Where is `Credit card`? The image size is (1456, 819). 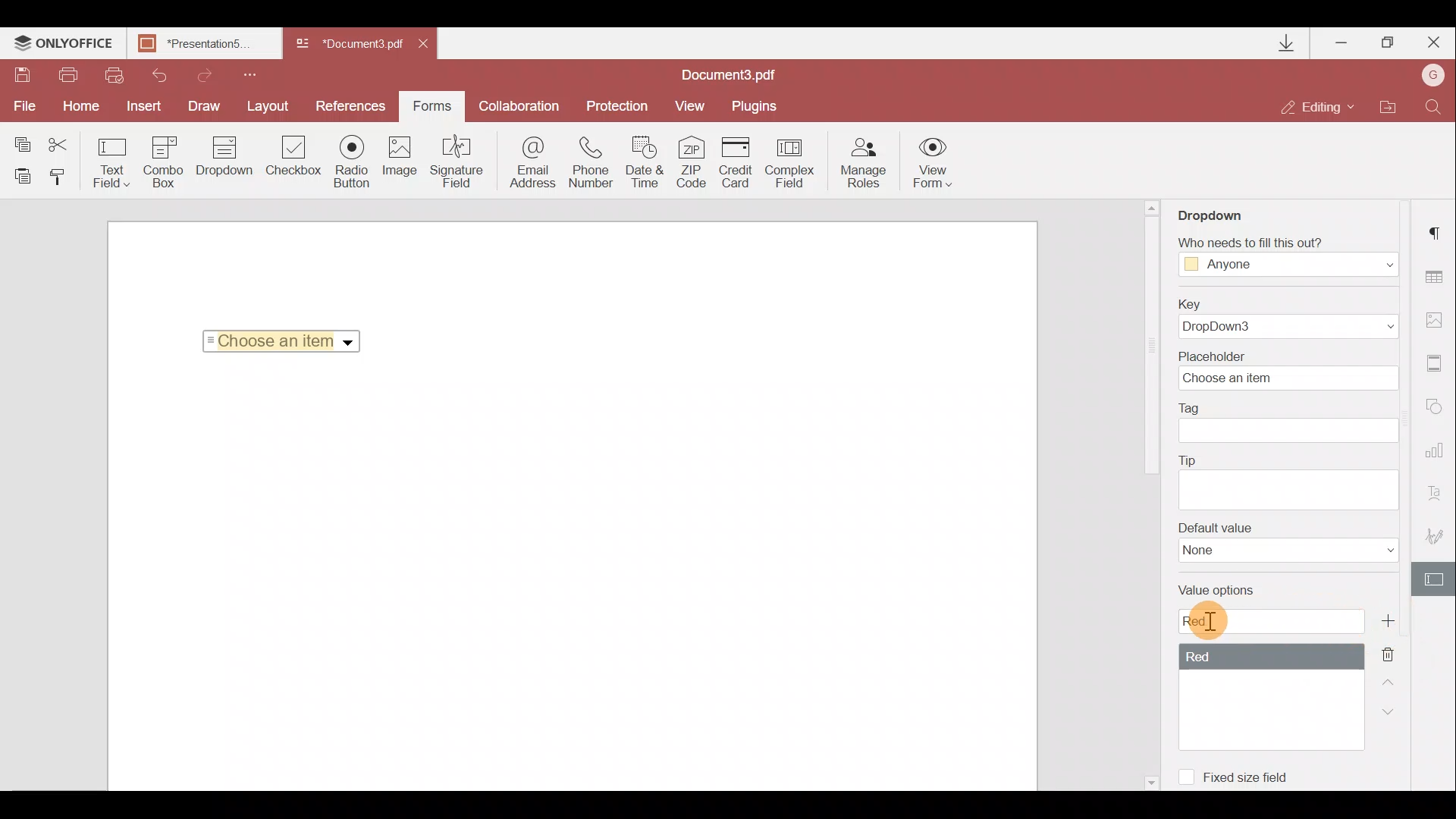 Credit card is located at coordinates (738, 161).